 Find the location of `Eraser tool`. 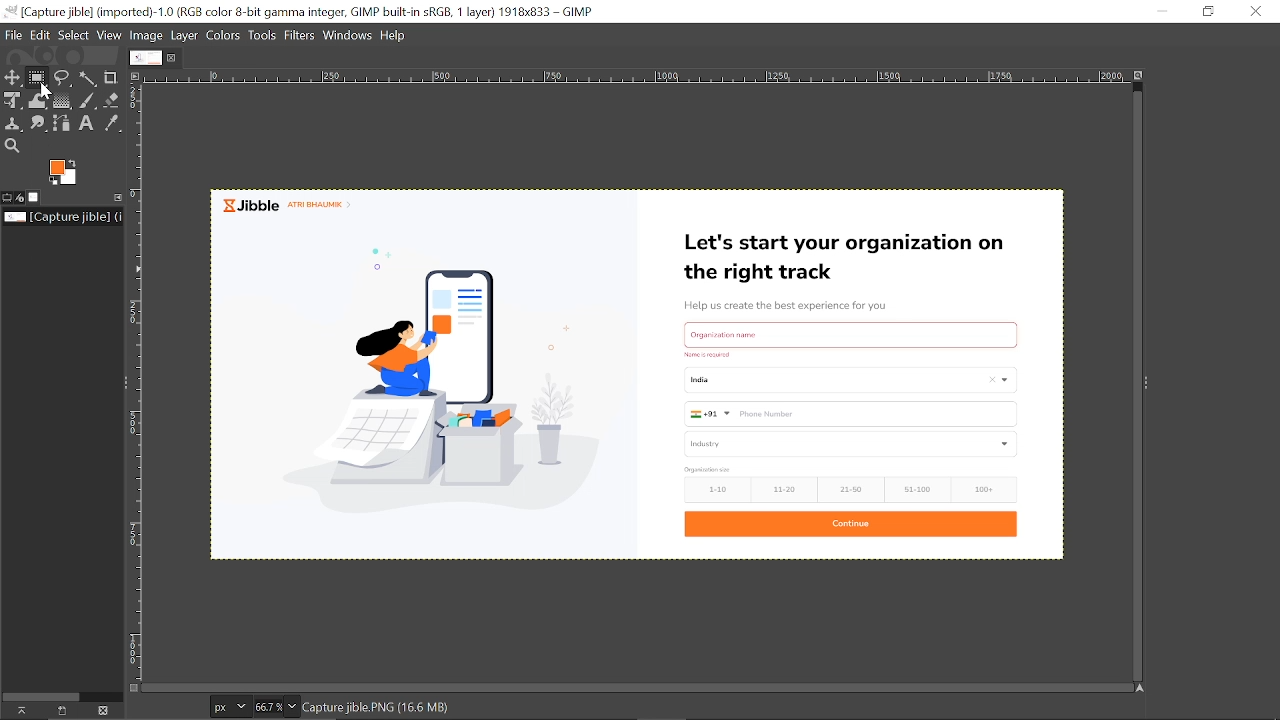

Eraser tool is located at coordinates (114, 100).